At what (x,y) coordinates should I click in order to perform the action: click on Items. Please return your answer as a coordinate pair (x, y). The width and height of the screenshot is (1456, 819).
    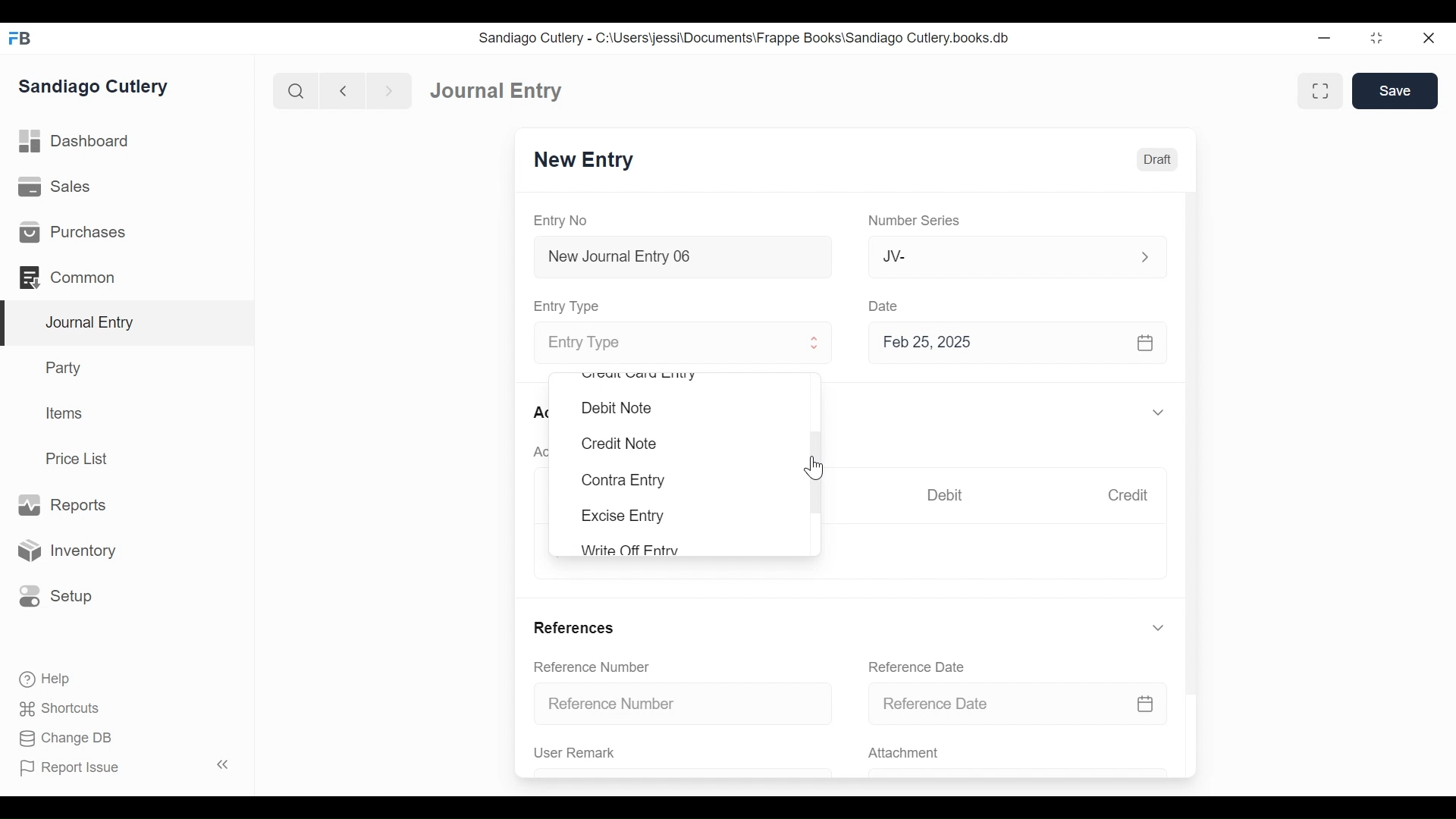
    Looking at the image, I should click on (65, 413).